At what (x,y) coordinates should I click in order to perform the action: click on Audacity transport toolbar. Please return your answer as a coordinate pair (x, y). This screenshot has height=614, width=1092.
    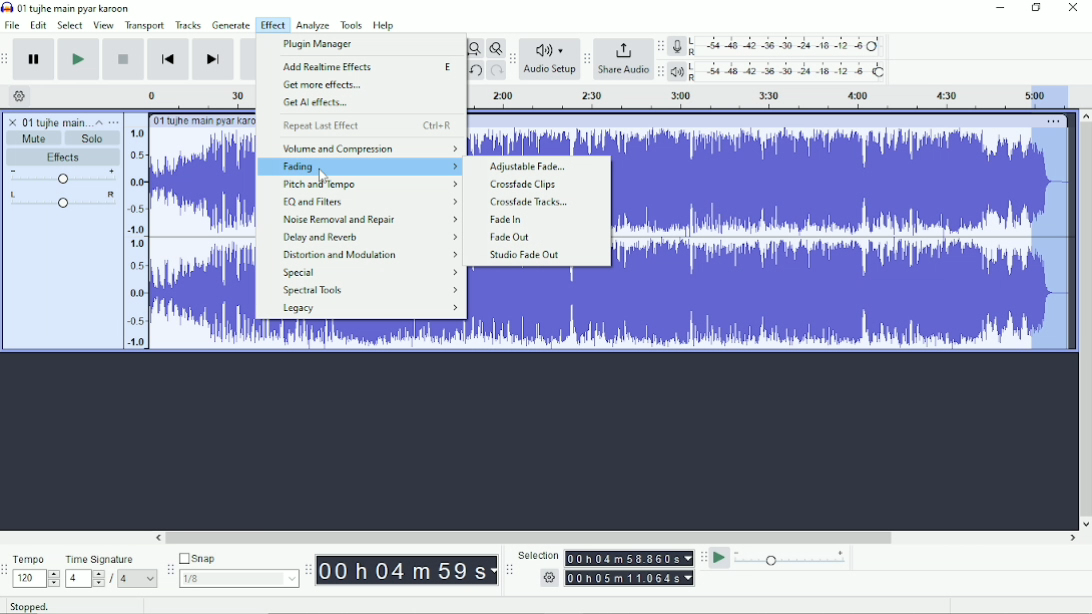
    Looking at the image, I should click on (7, 59).